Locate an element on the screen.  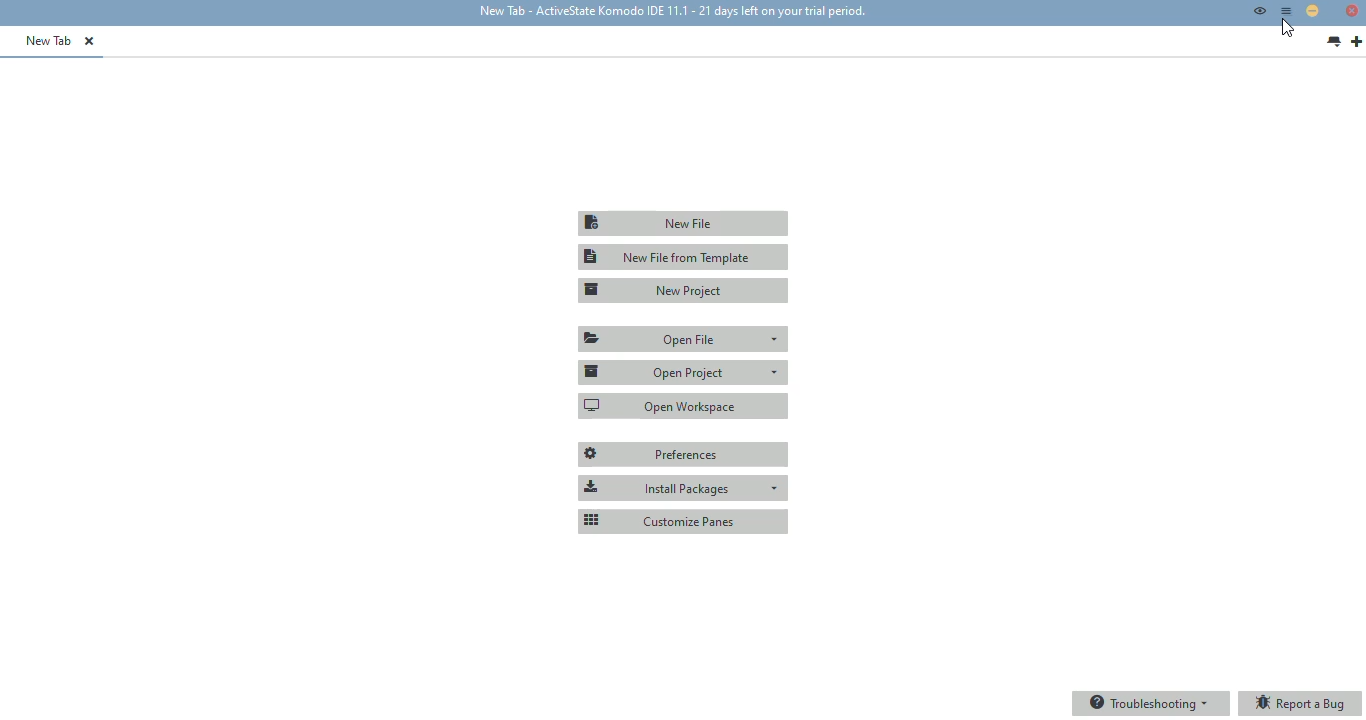
list all tabs is located at coordinates (1334, 42).